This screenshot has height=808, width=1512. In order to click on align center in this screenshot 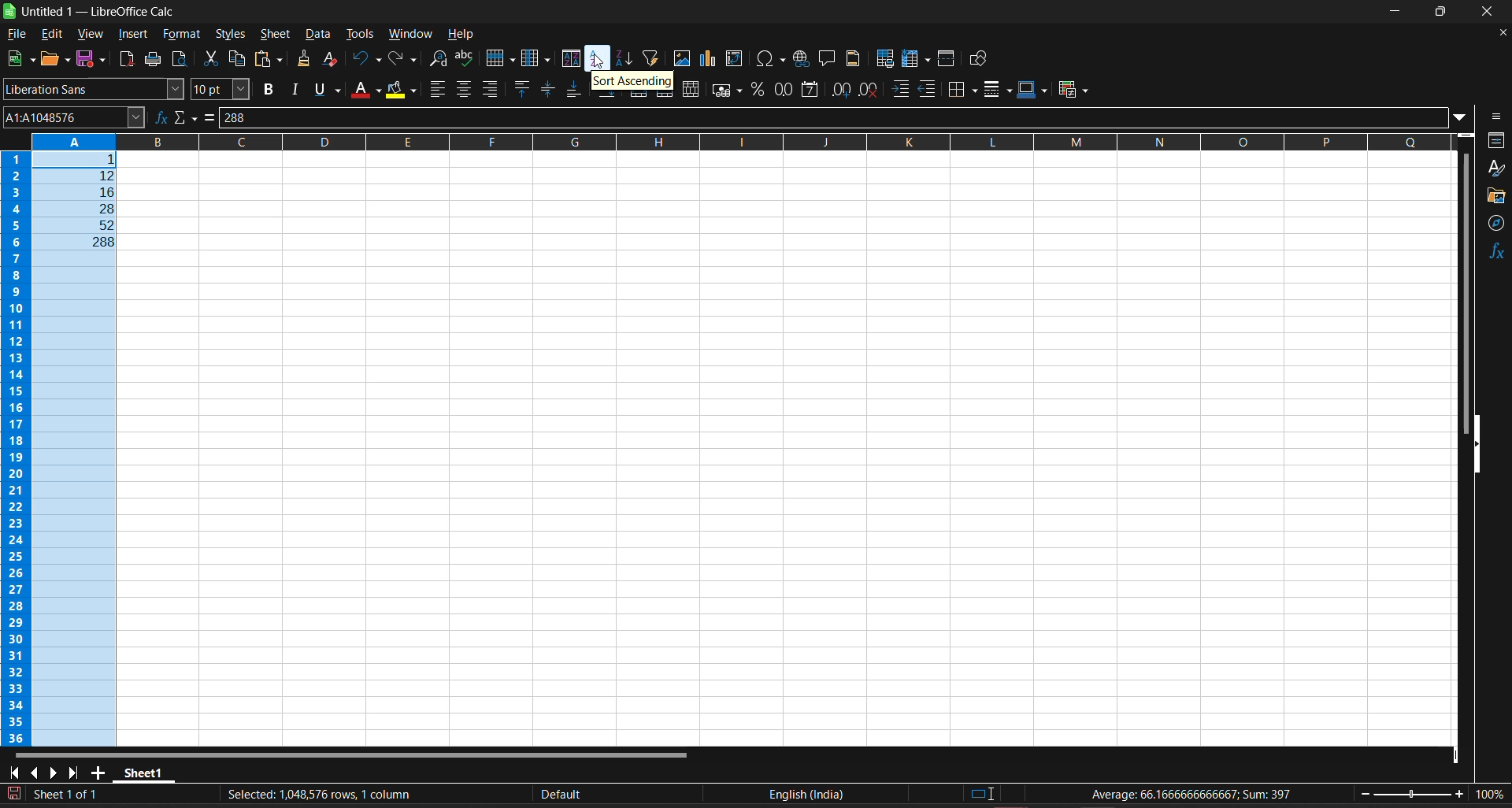, I will do `click(465, 89)`.